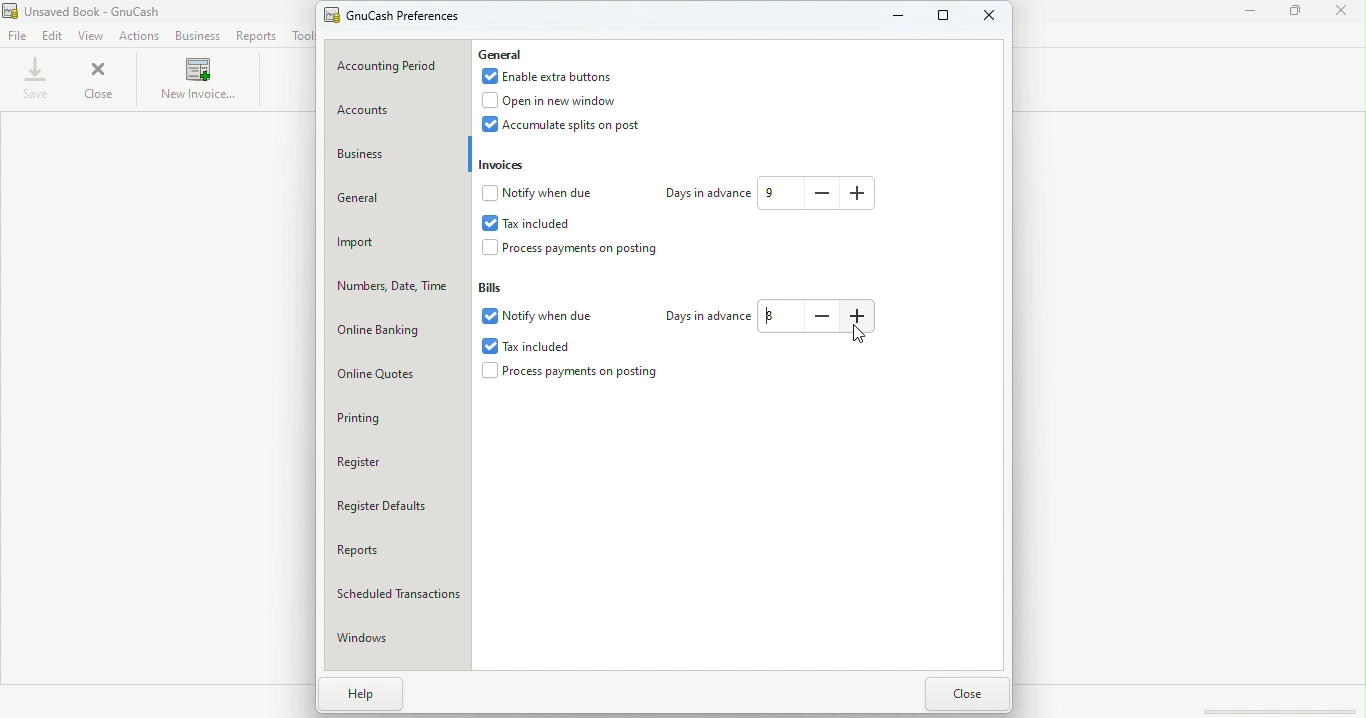  What do you see at coordinates (545, 222) in the screenshot?
I see `Tax included` at bounding box center [545, 222].